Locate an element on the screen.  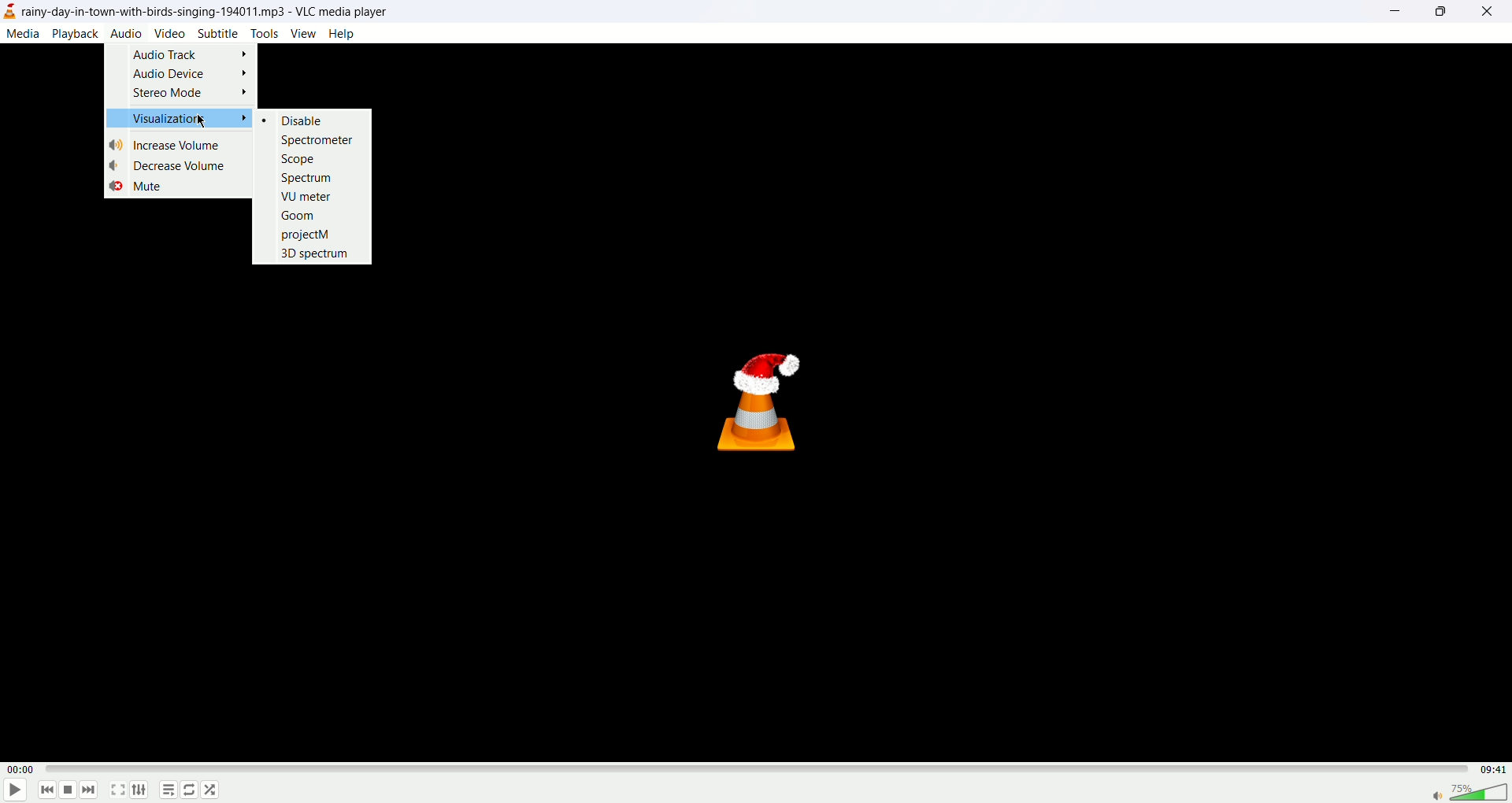
increase volume is located at coordinates (169, 145).